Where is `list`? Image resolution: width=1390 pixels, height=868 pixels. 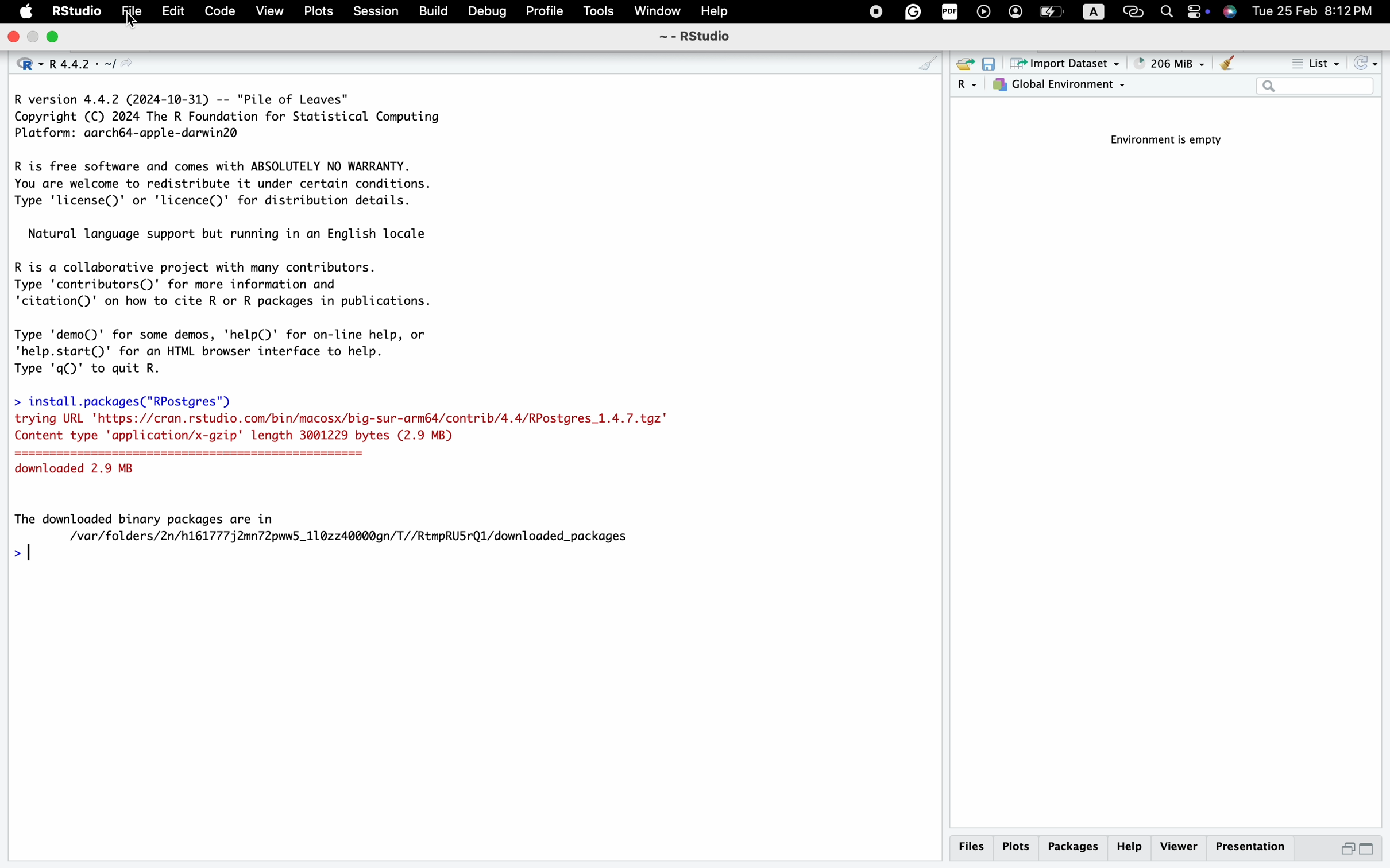 list is located at coordinates (1314, 65).